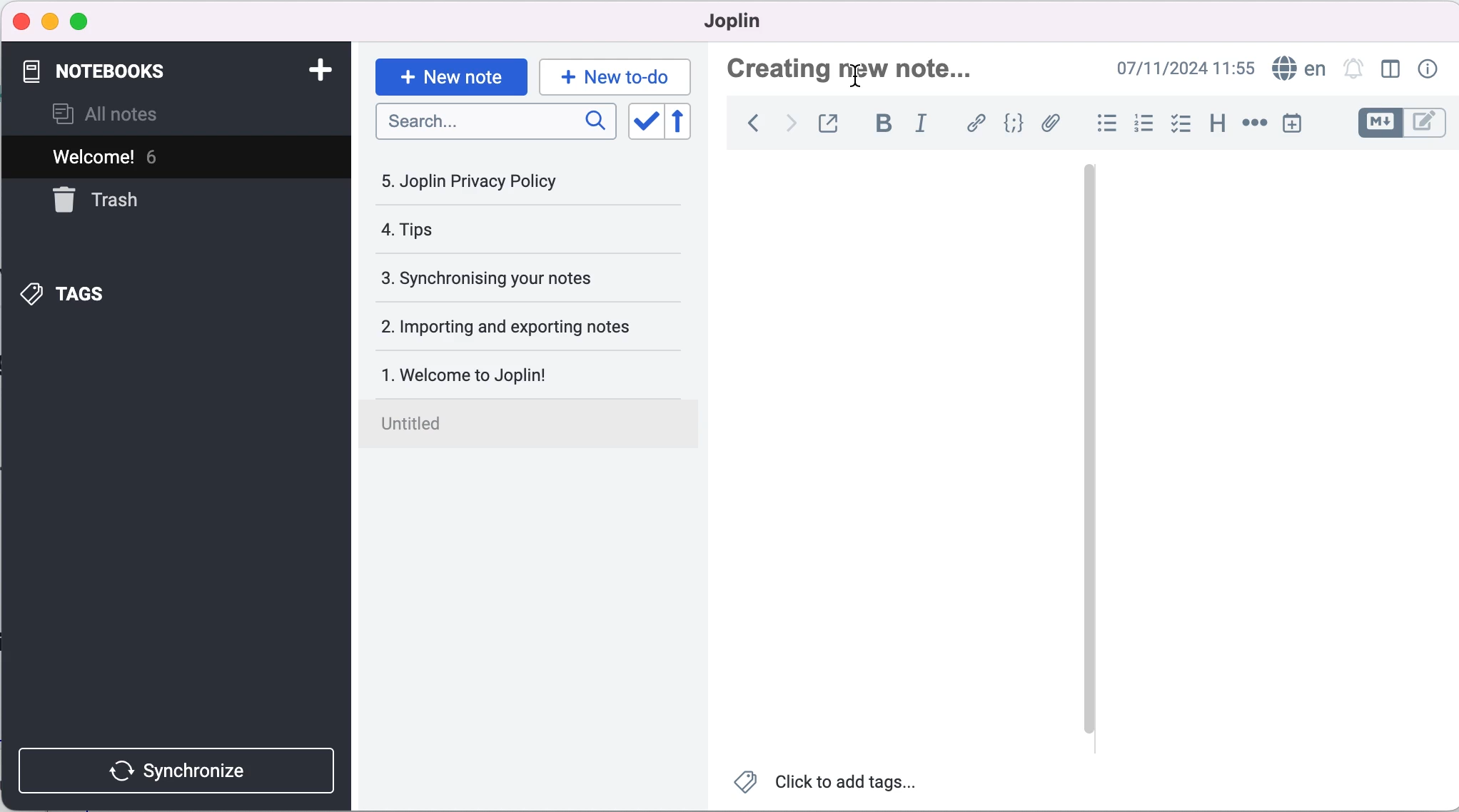  I want to click on bulleted list, so click(1101, 123).